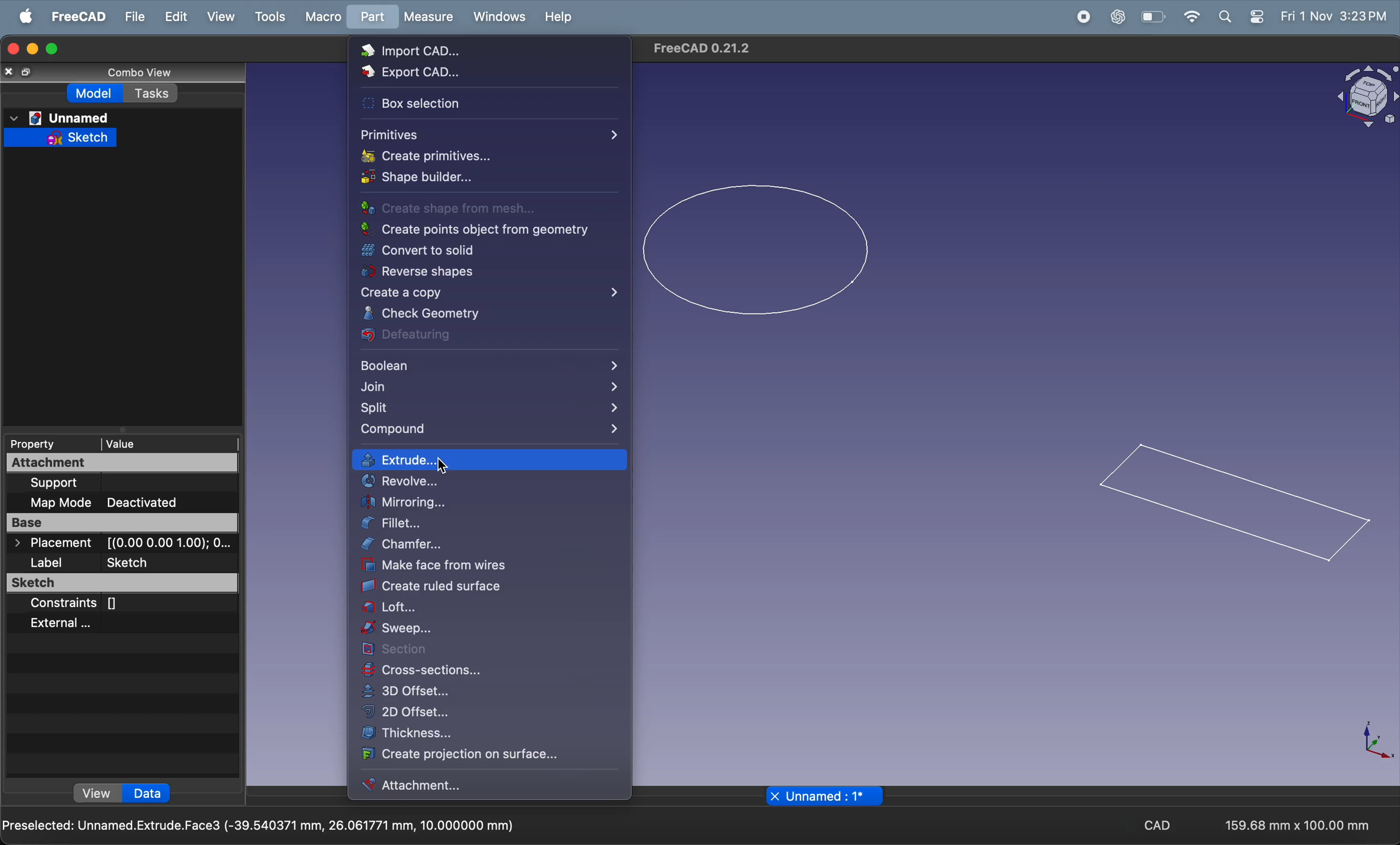 The width and height of the screenshot is (1400, 845). Describe the element at coordinates (269, 17) in the screenshot. I see `Tools` at that location.